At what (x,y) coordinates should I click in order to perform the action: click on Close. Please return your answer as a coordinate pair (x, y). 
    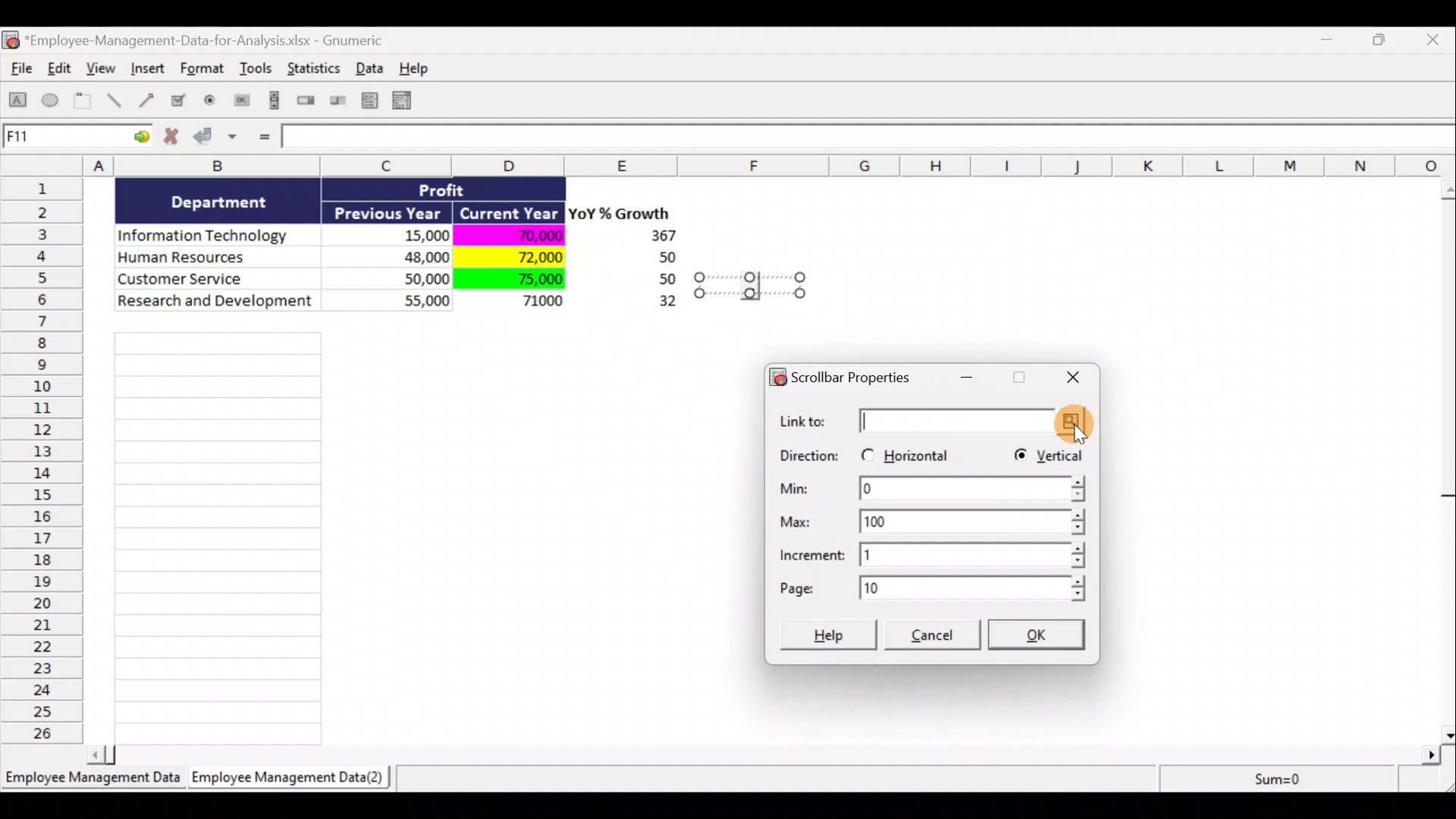
    Looking at the image, I should click on (1068, 378).